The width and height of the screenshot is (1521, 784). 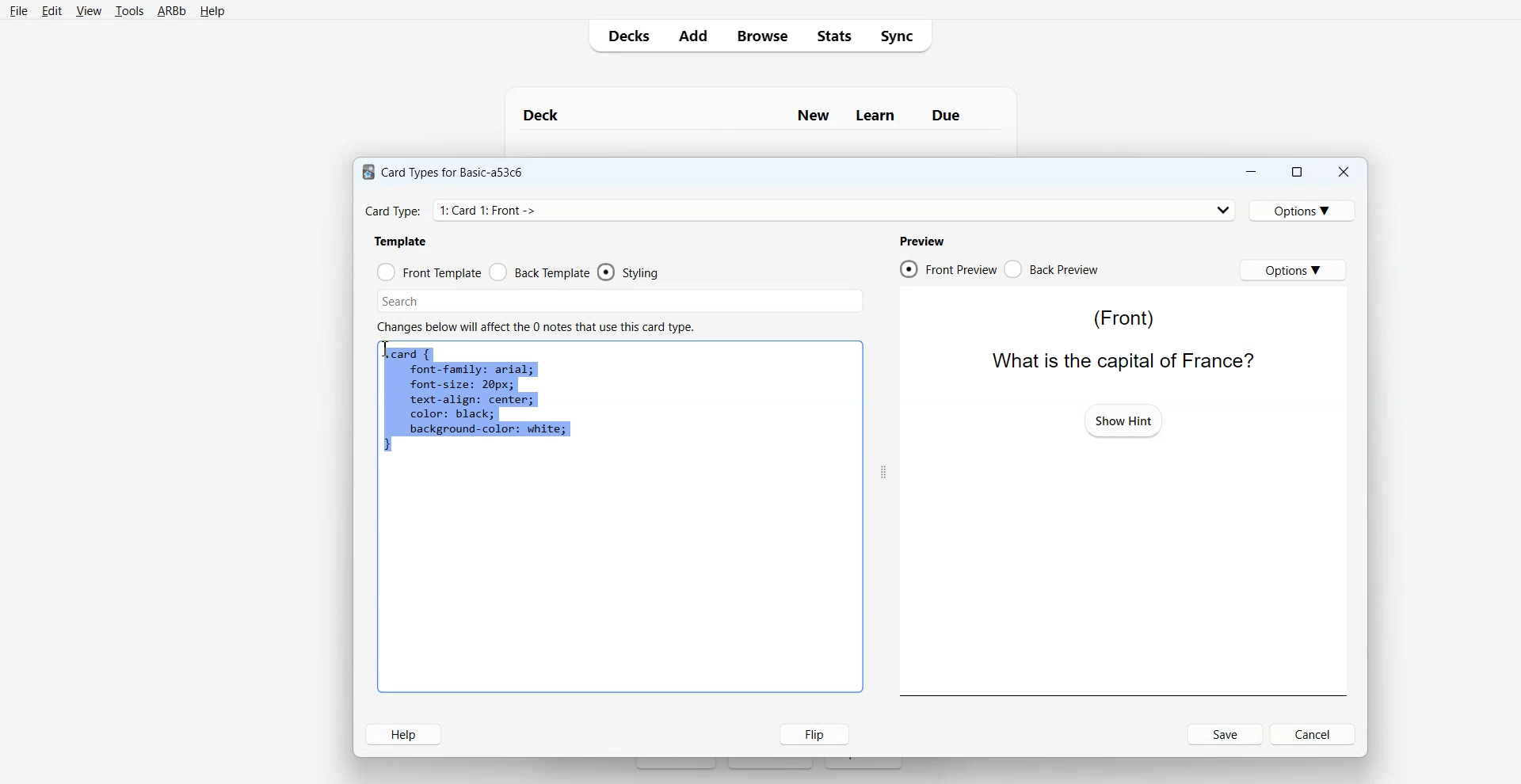 What do you see at coordinates (750, 115) in the screenshot?
I see `Deck New Learn Due` at bounding box center [750, 115].